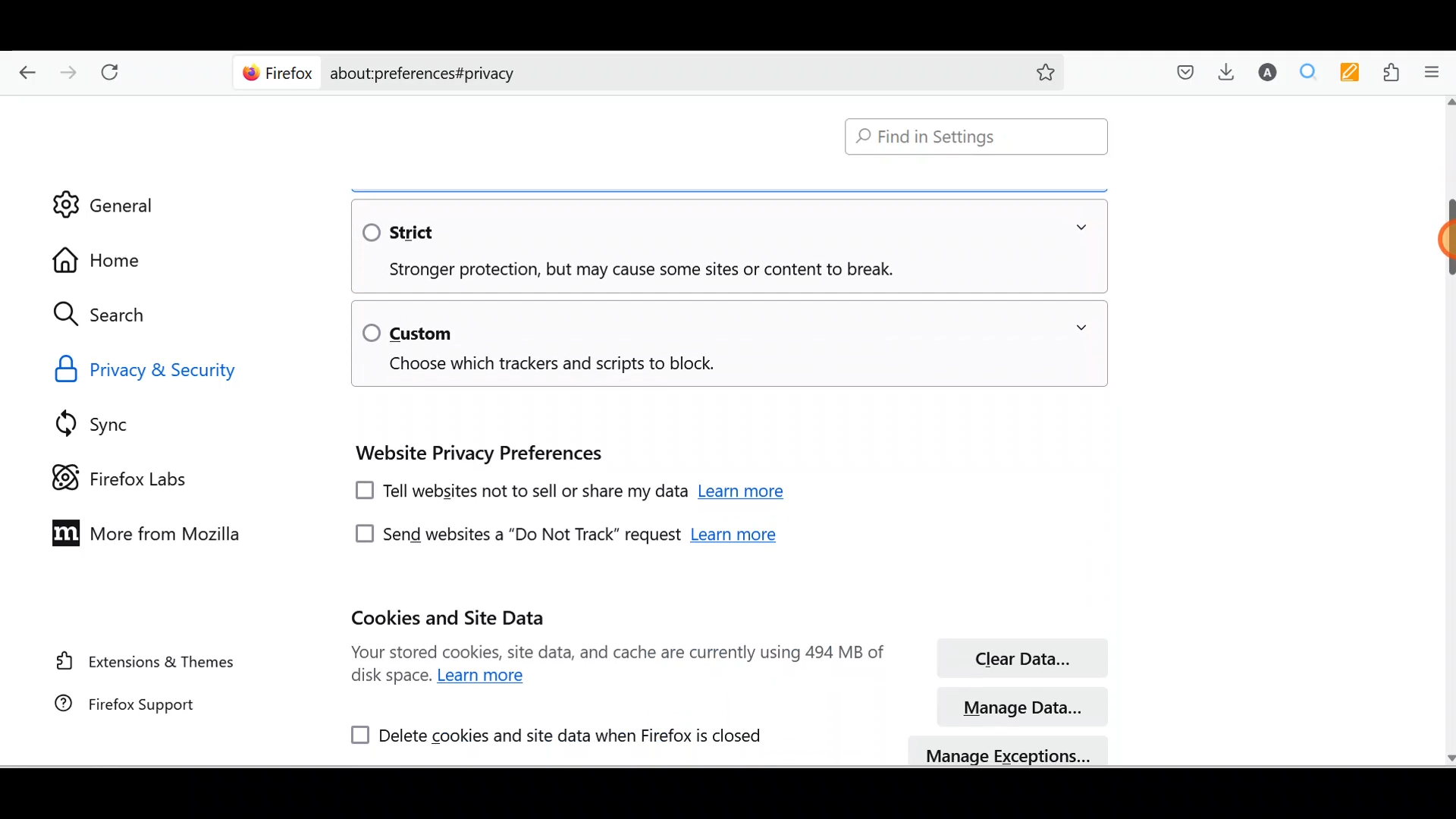  What do you see at coordinates (275, 73) in the screenshot?
I see ` Firefox logo` at bounding box center [275, 73].